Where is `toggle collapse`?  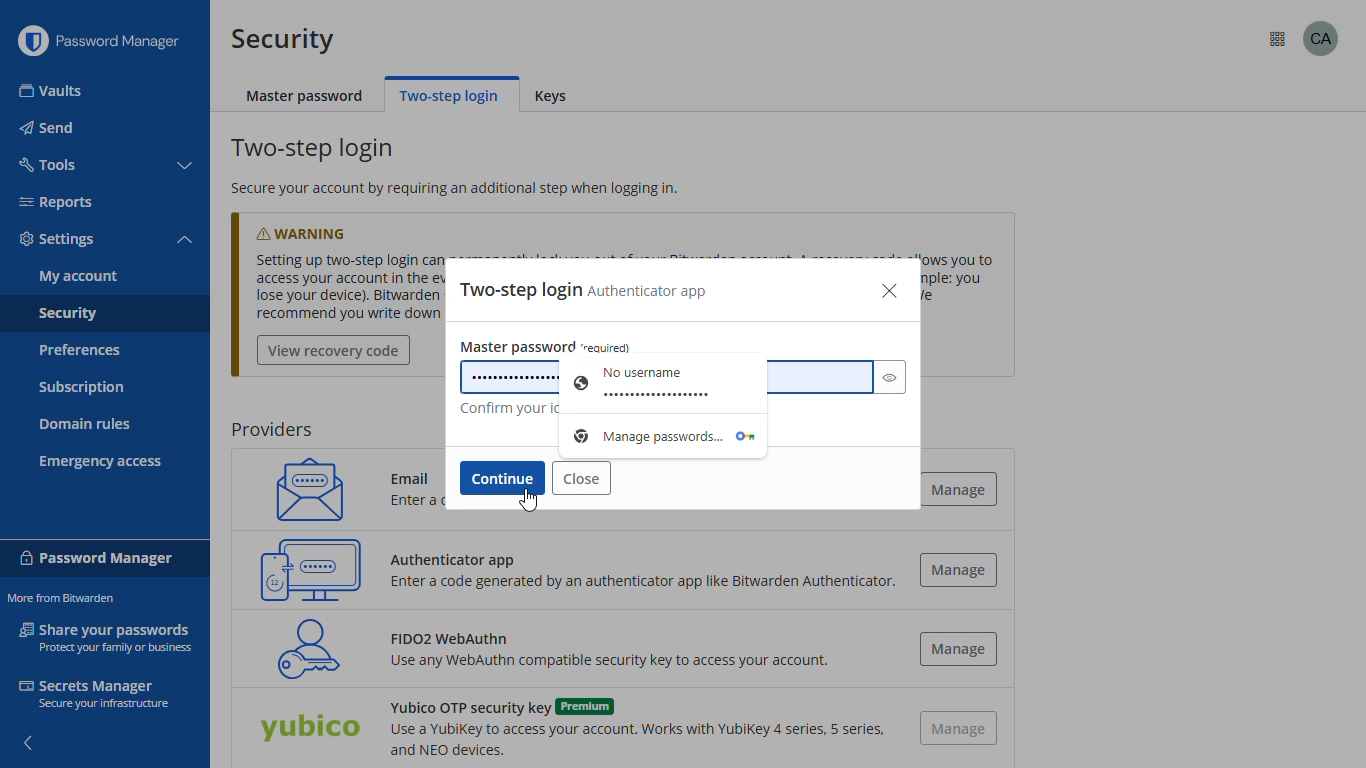
toggle collapse is located at coordinates (187, 166).